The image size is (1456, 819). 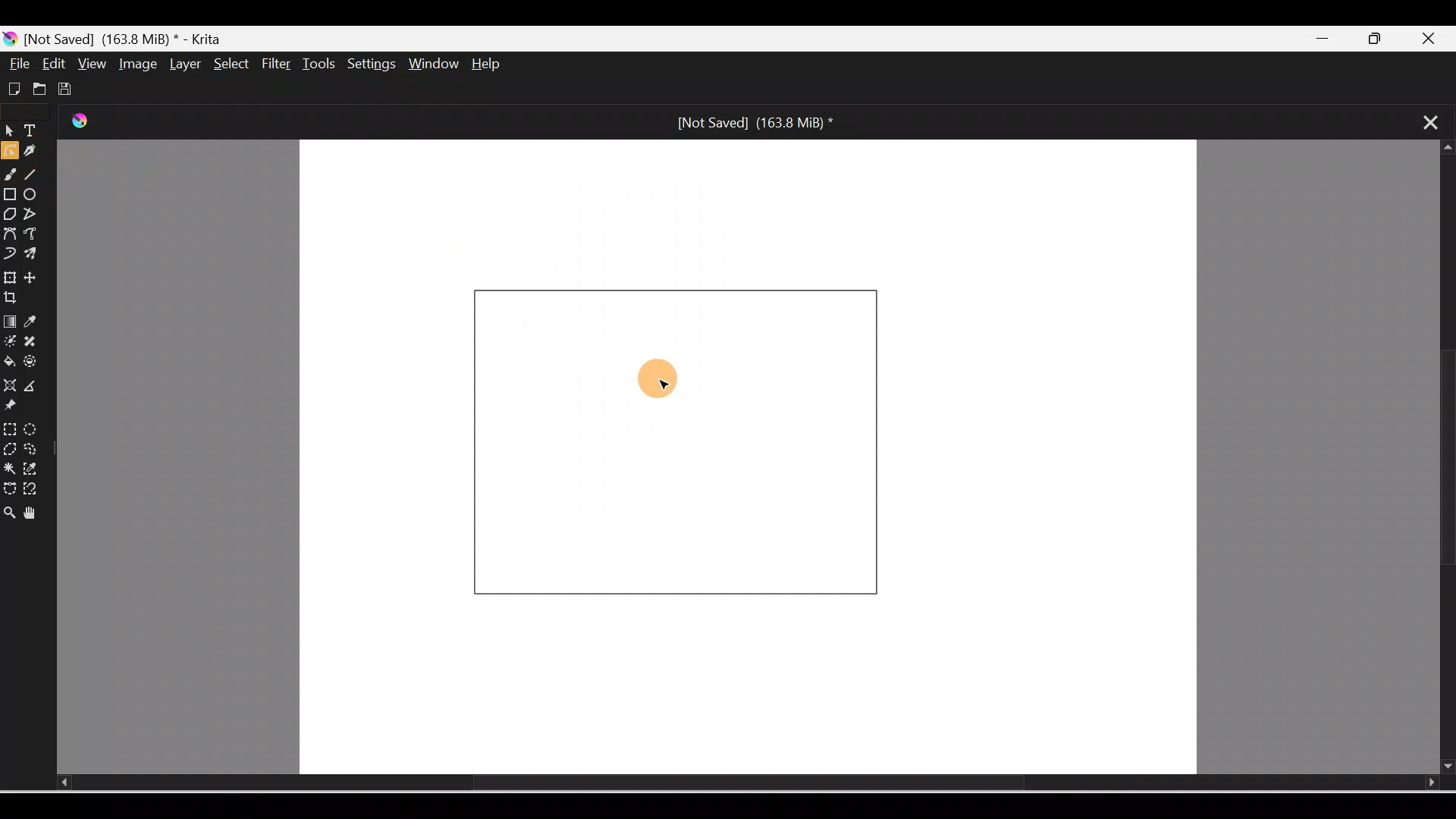 What do you see at coordinates (12, 87) in the screenshot?
I see `Create new document` at bounding box center [12, 87].